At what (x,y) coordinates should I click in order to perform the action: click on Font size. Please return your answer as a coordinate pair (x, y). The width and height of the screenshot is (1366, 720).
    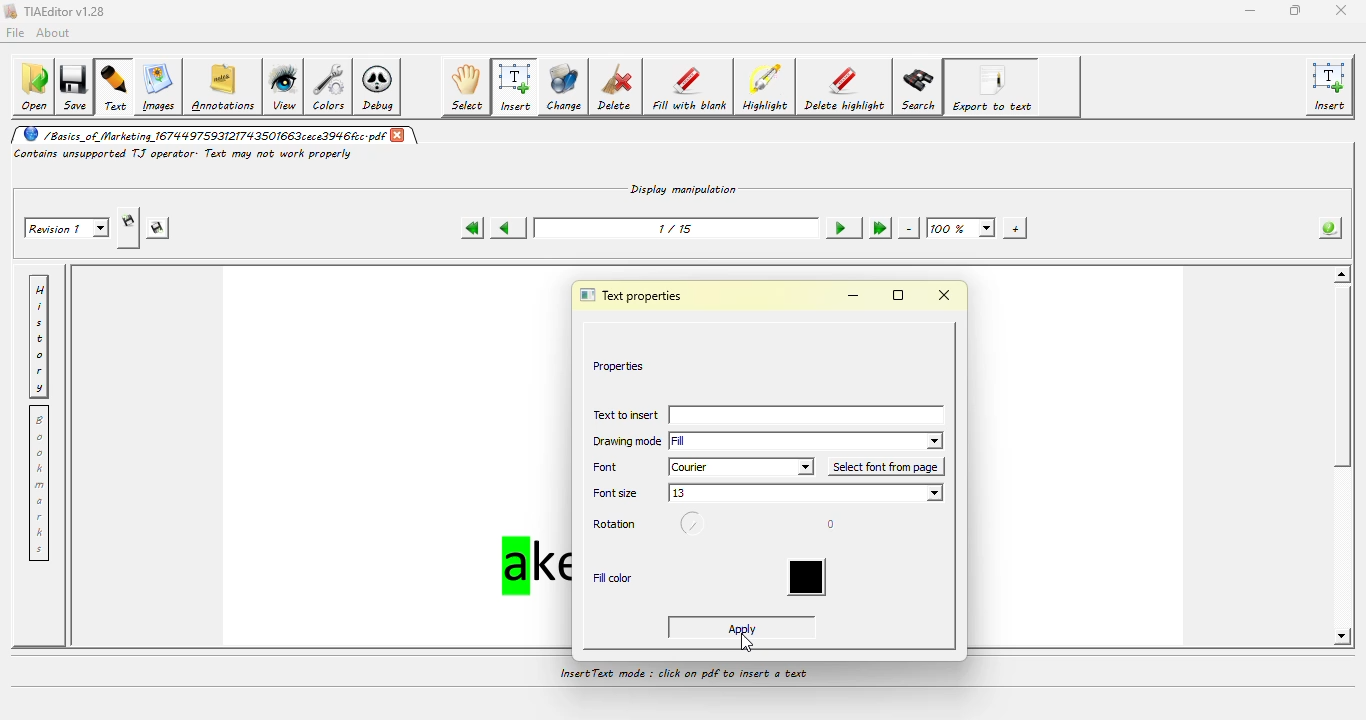
    Looking at the image, I should click on (616, 495).